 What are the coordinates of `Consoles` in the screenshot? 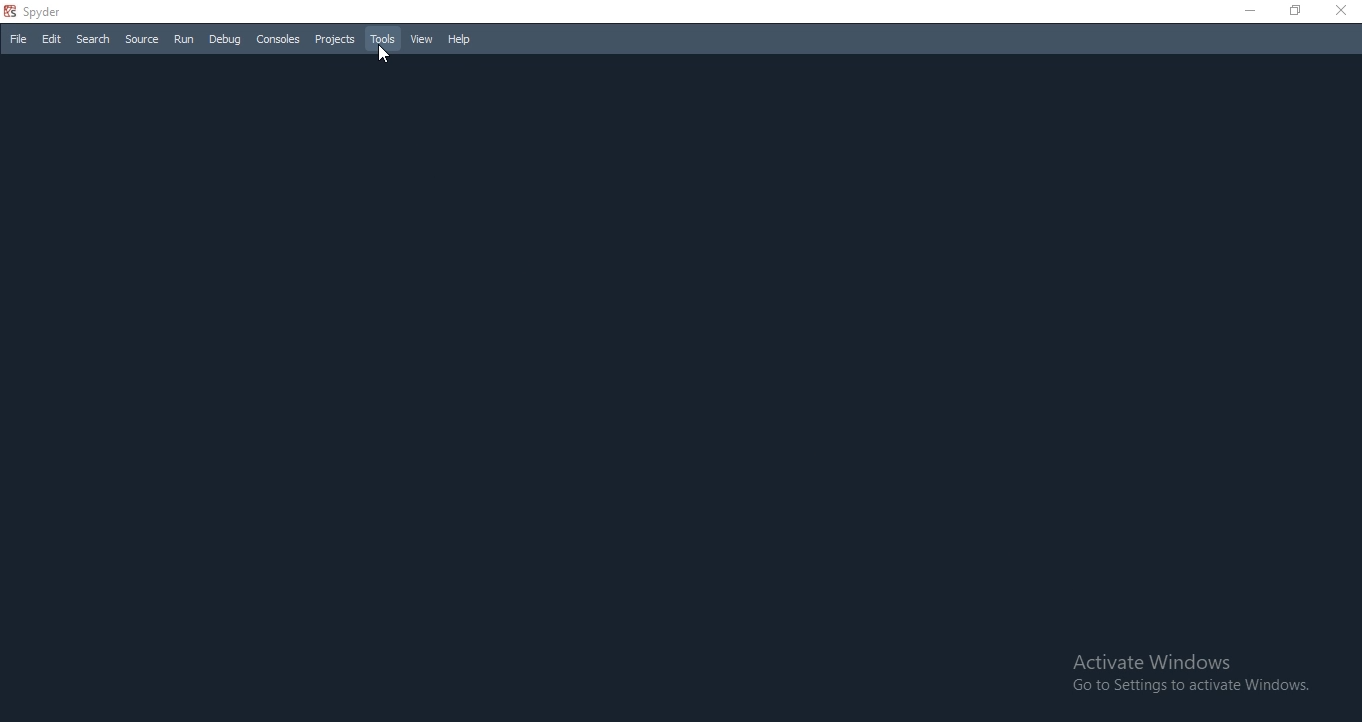 It's located at (278, 40).